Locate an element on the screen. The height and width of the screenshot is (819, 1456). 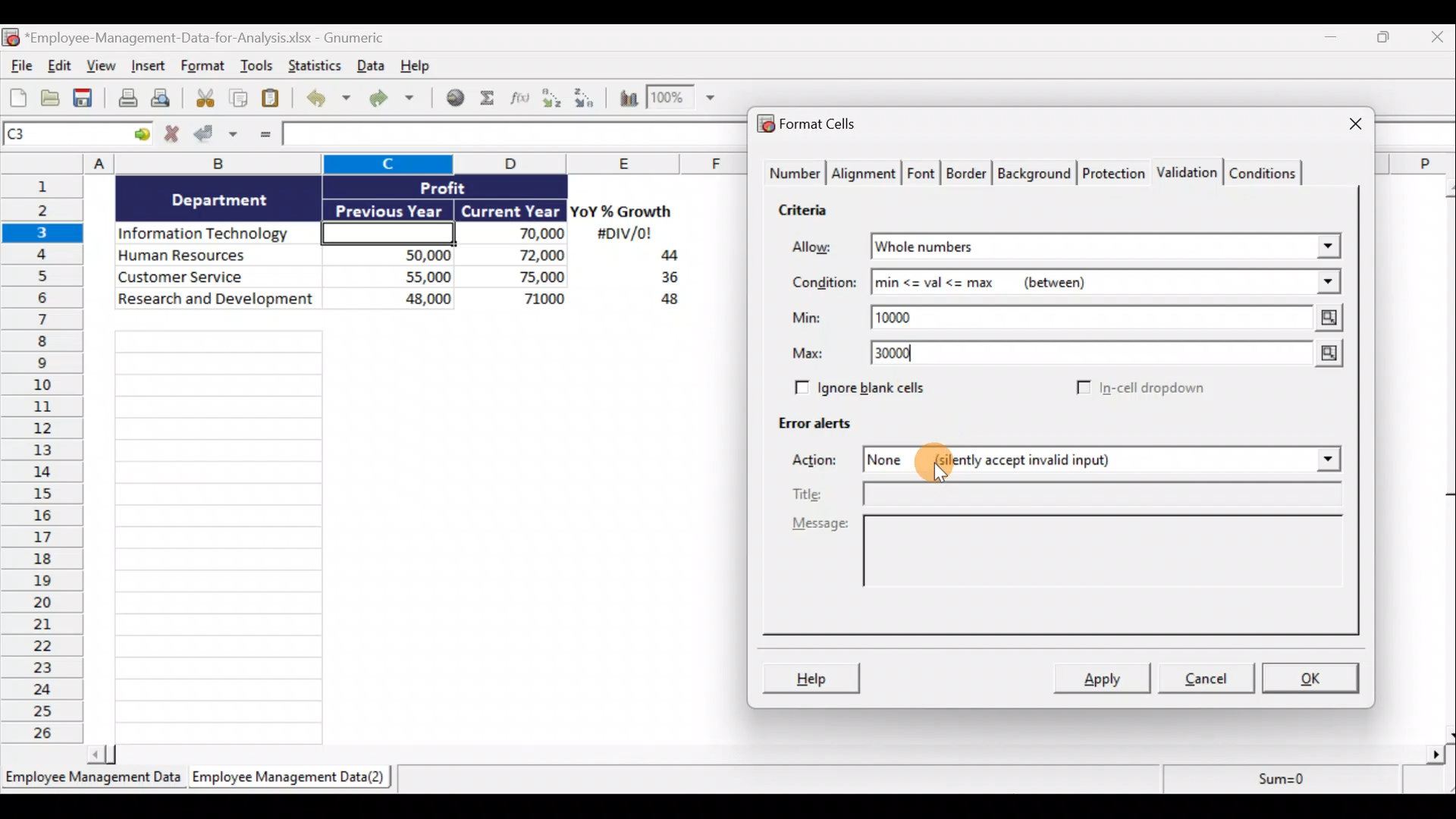
Go to is located at coordinates (142, 135).